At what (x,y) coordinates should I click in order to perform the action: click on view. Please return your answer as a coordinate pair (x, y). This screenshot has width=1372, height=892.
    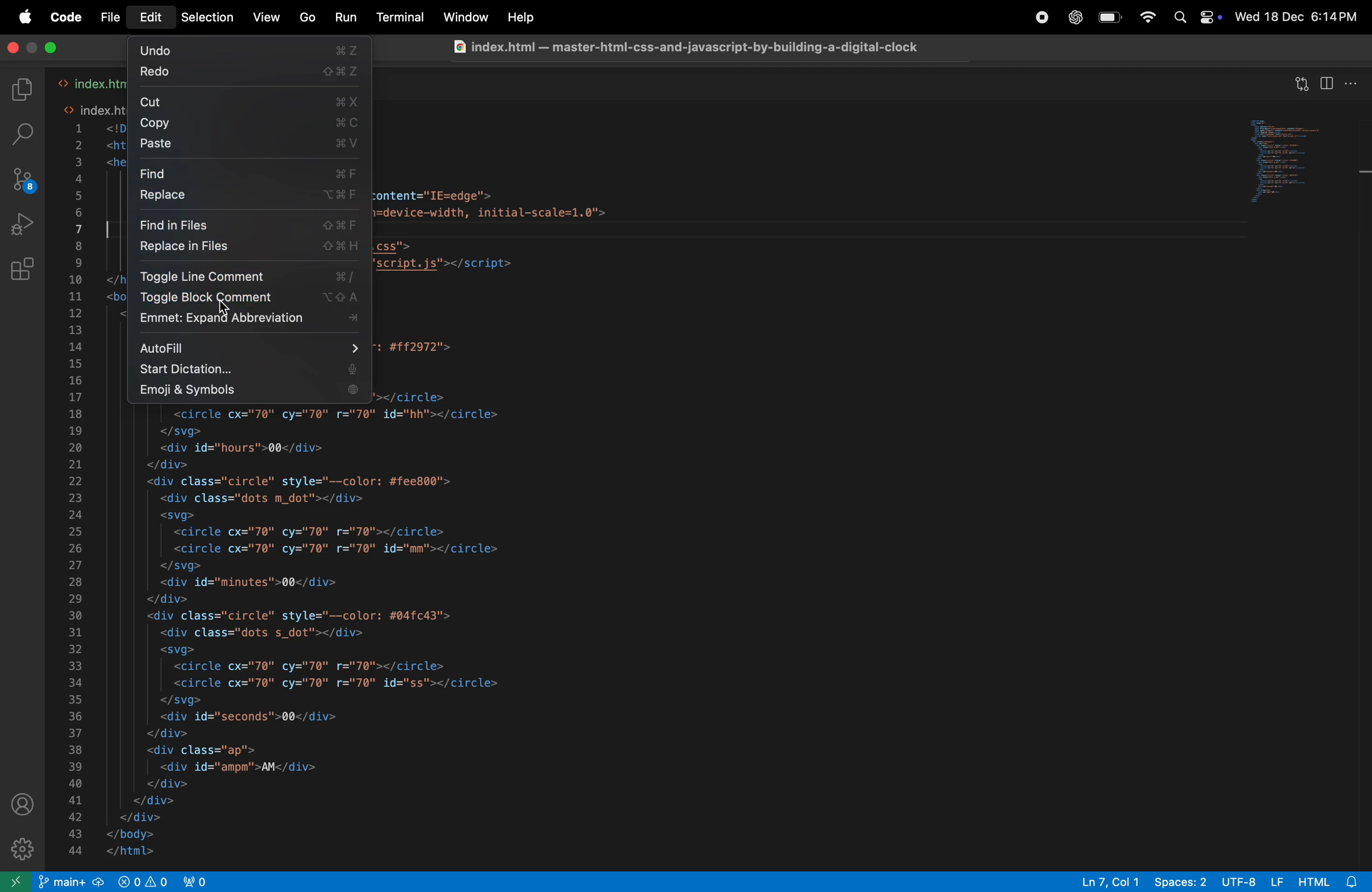
    Looking at the image, I should click on (263, 18).